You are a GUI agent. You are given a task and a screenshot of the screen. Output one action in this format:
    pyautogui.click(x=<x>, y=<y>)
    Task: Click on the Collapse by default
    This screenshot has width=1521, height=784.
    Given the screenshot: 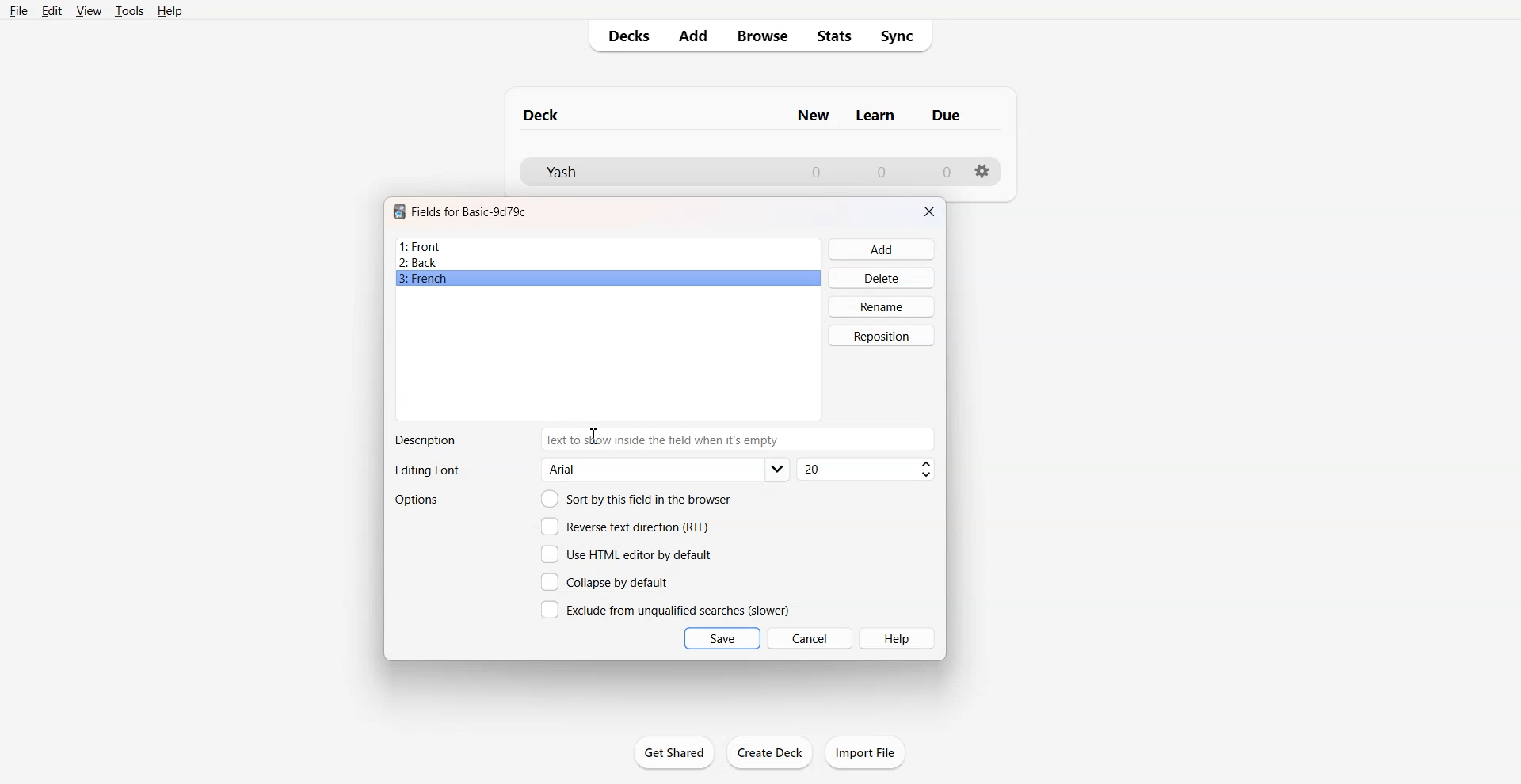 What is the action you would take?
    pyautogui.click(x=608, y=581)
    